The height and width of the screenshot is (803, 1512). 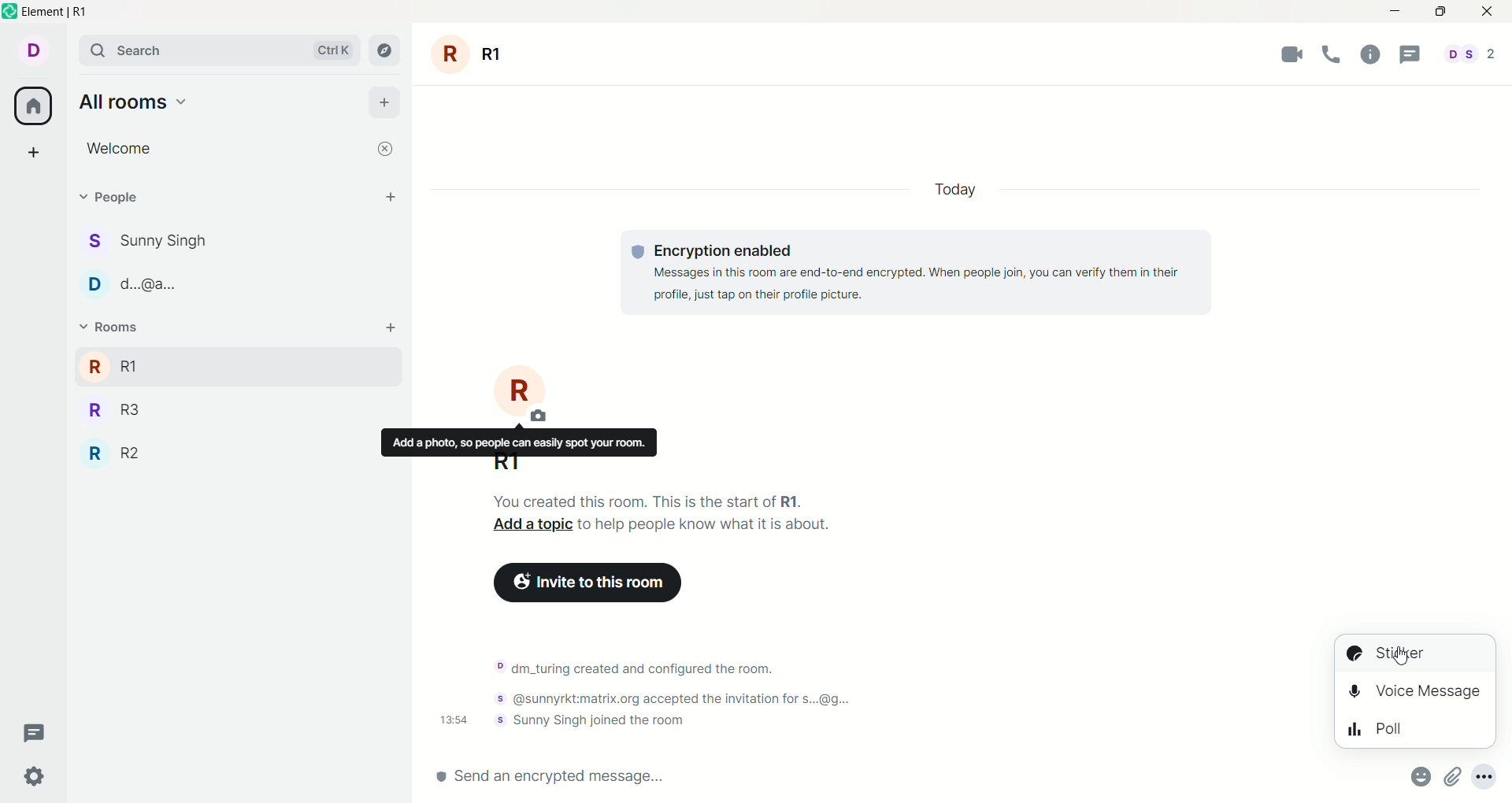 I want to click on Element | R1, so click(x=54, y=12).